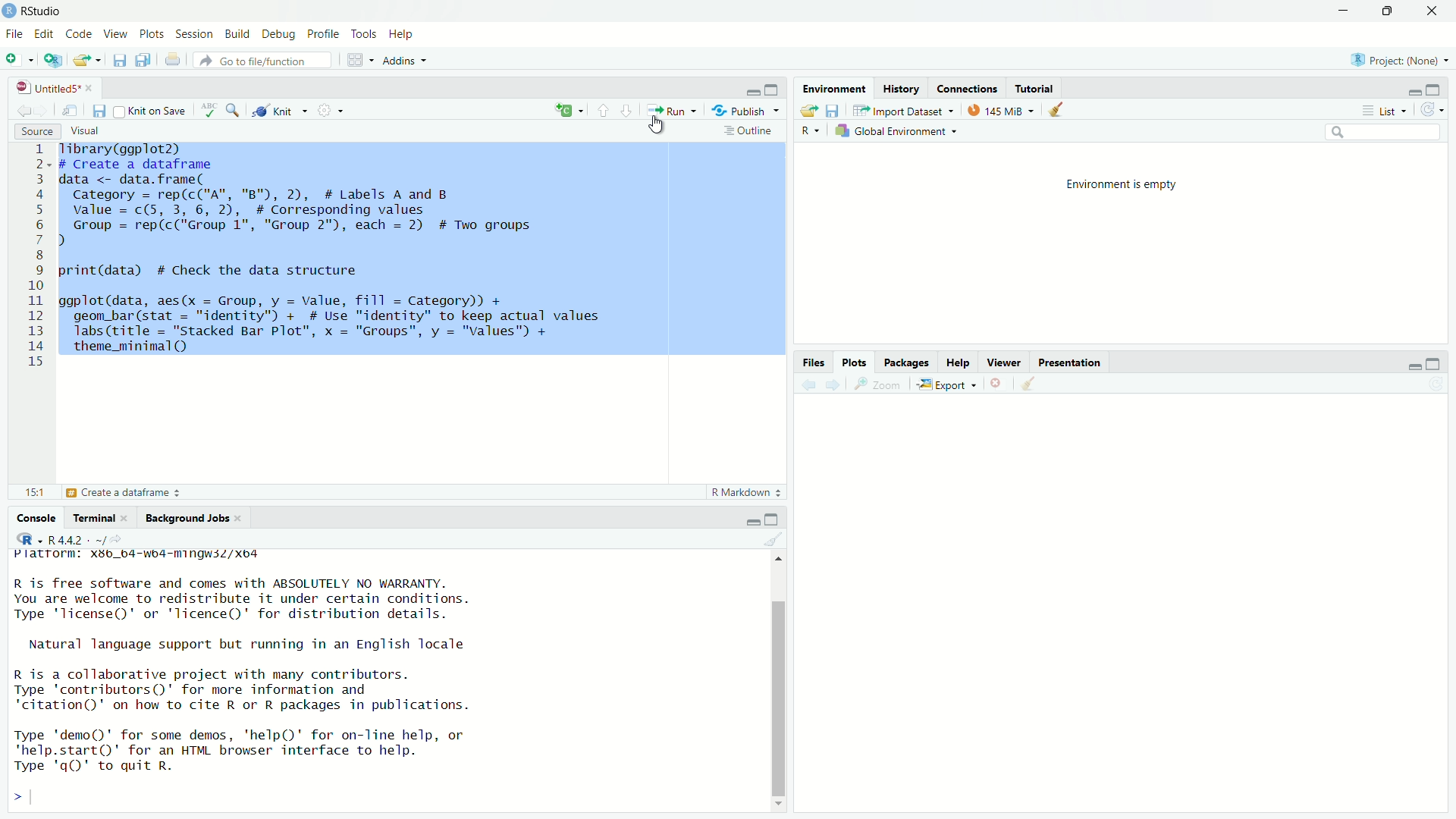 The height and width of the screenshot is (819, 1456). I want to click on View, so click(116, 34).